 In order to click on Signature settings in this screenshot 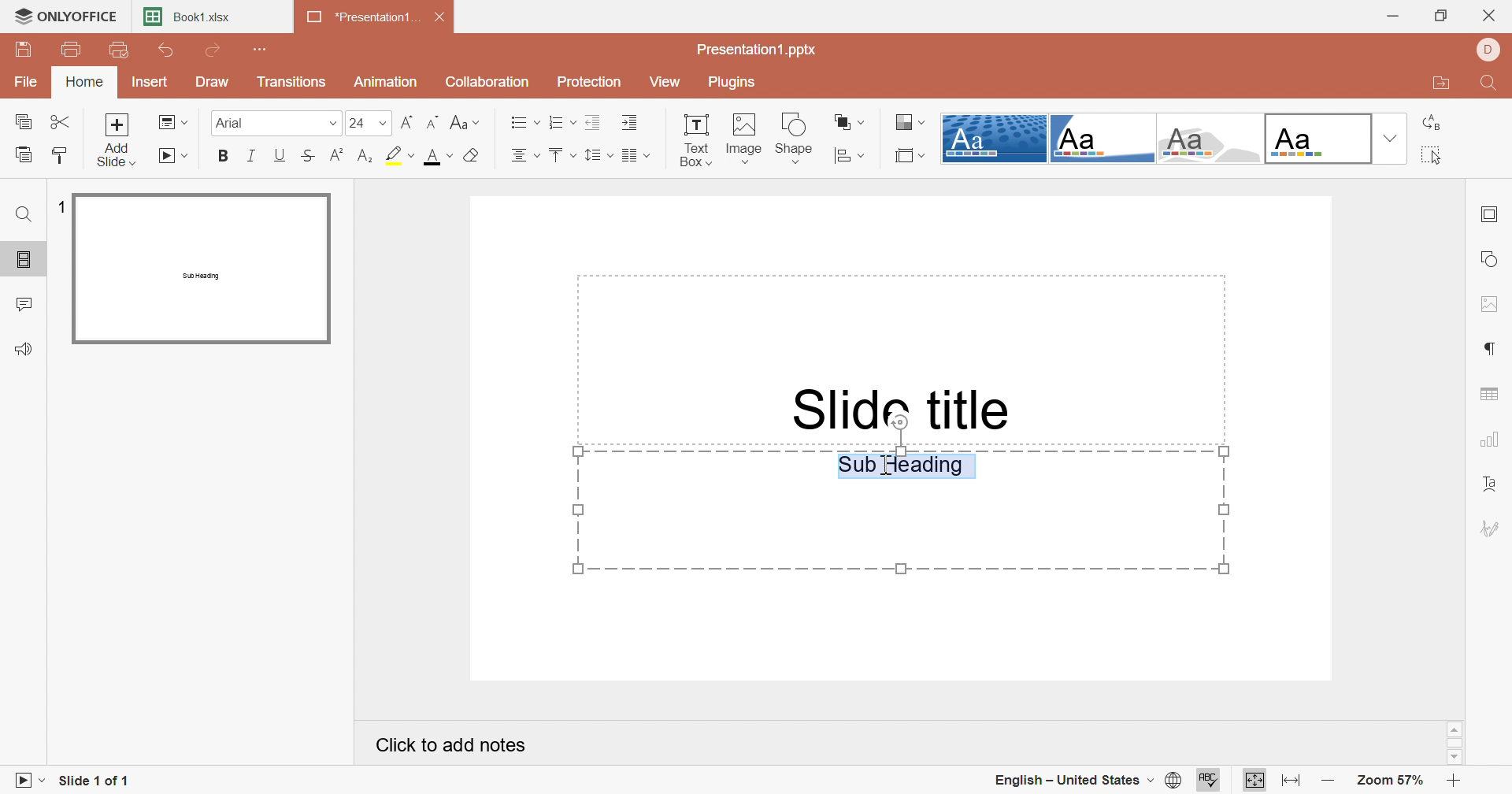, I will do `click(1492, 529)`.